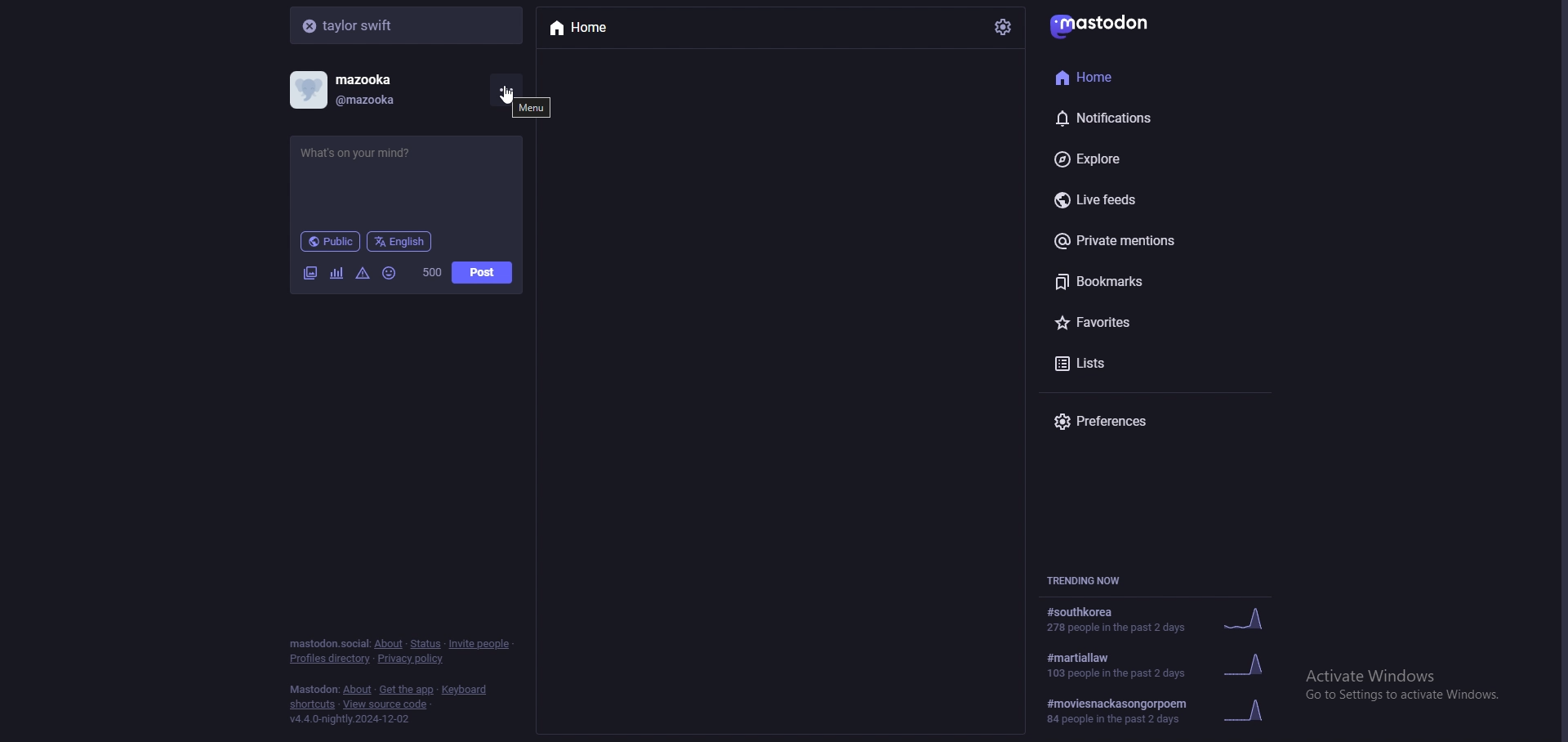  Describe the element at coordinates (494, 88) in the screenshot. I see `cursor` at that location.